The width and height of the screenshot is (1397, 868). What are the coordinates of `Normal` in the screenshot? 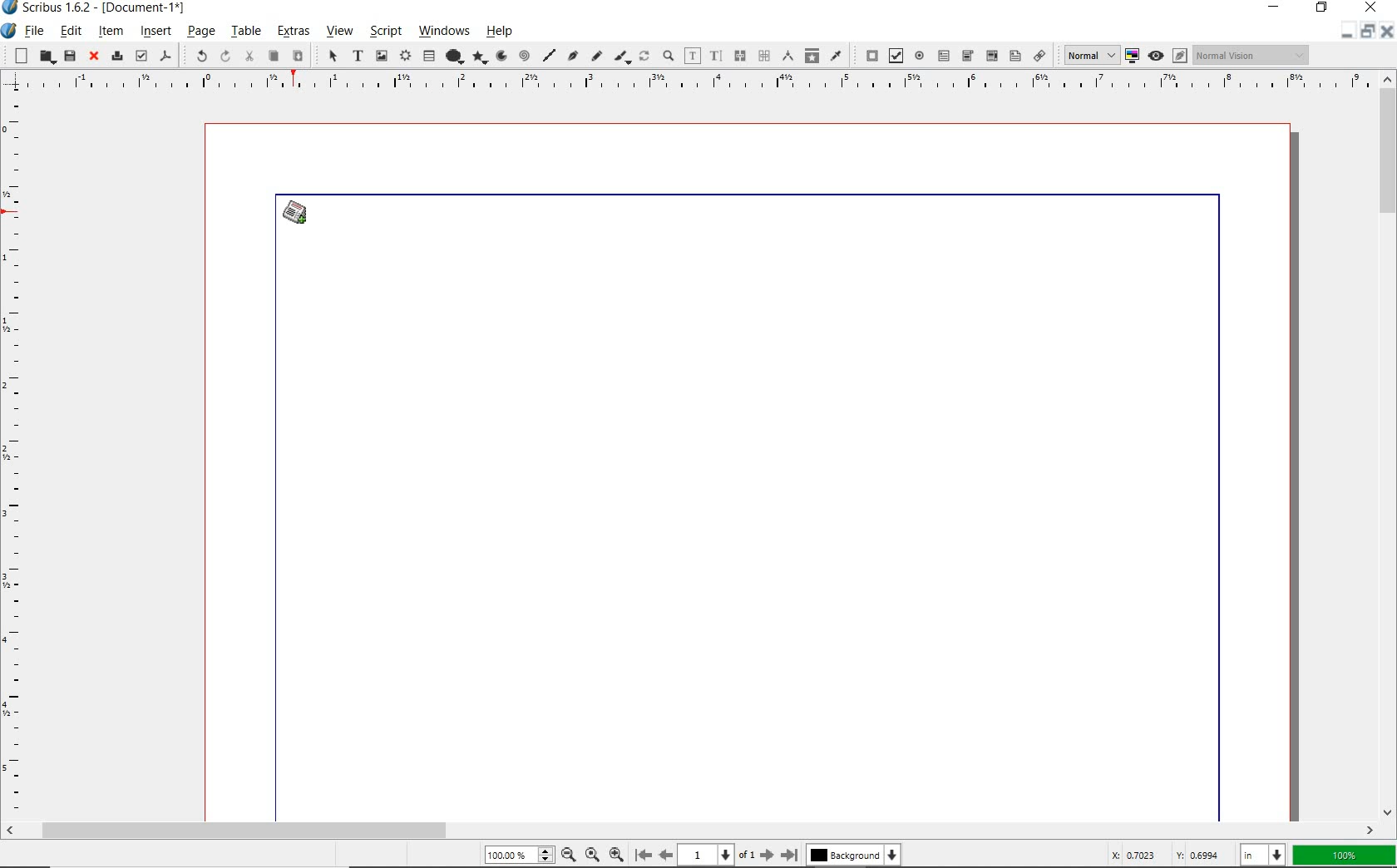 It's located at (1087, 55).